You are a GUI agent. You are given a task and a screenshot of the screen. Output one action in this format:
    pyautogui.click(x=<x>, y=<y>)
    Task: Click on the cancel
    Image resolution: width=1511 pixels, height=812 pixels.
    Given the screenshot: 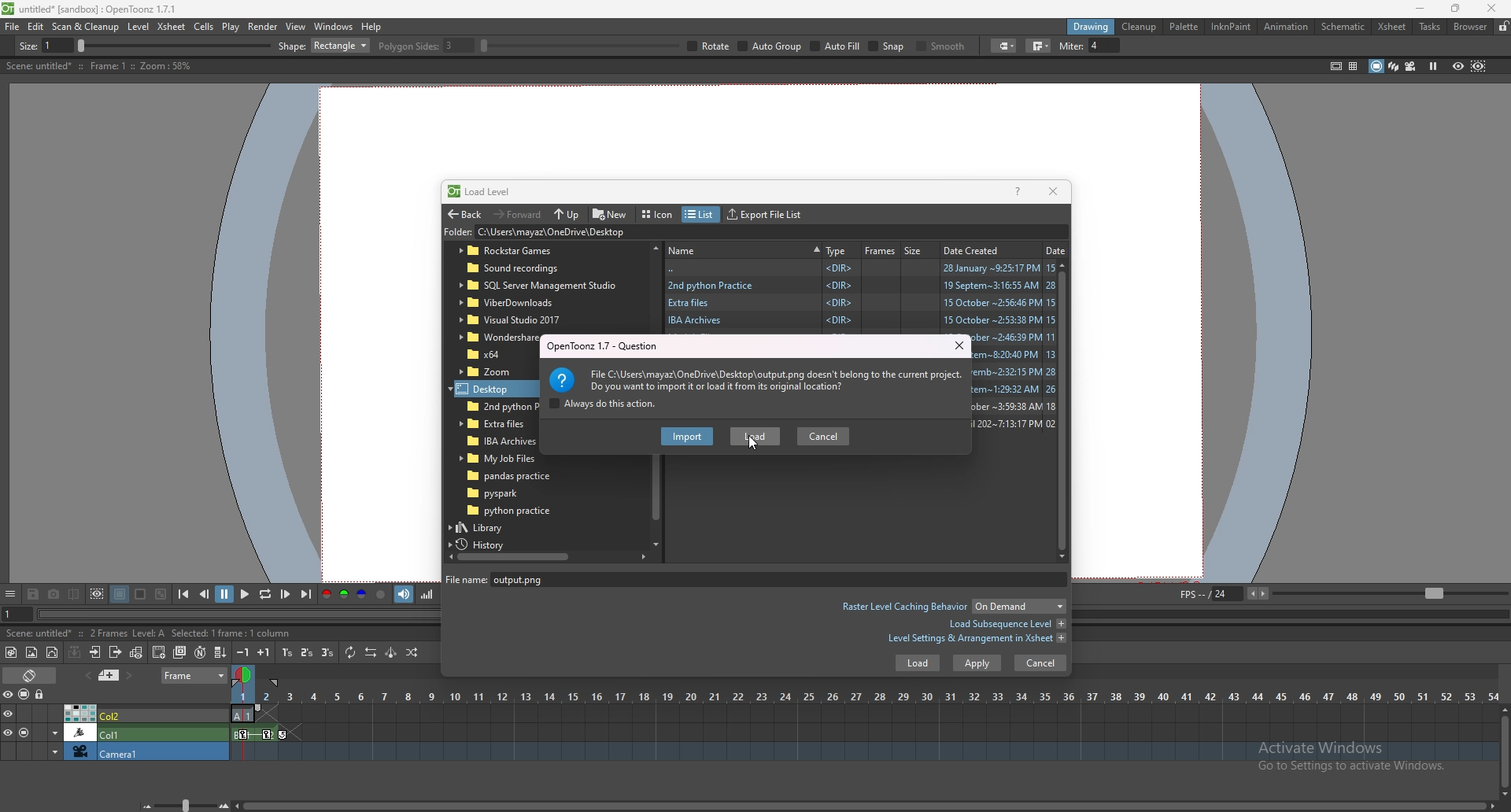 What is the action you would take?
    pyautogui.click(x=1040, y=663)
    